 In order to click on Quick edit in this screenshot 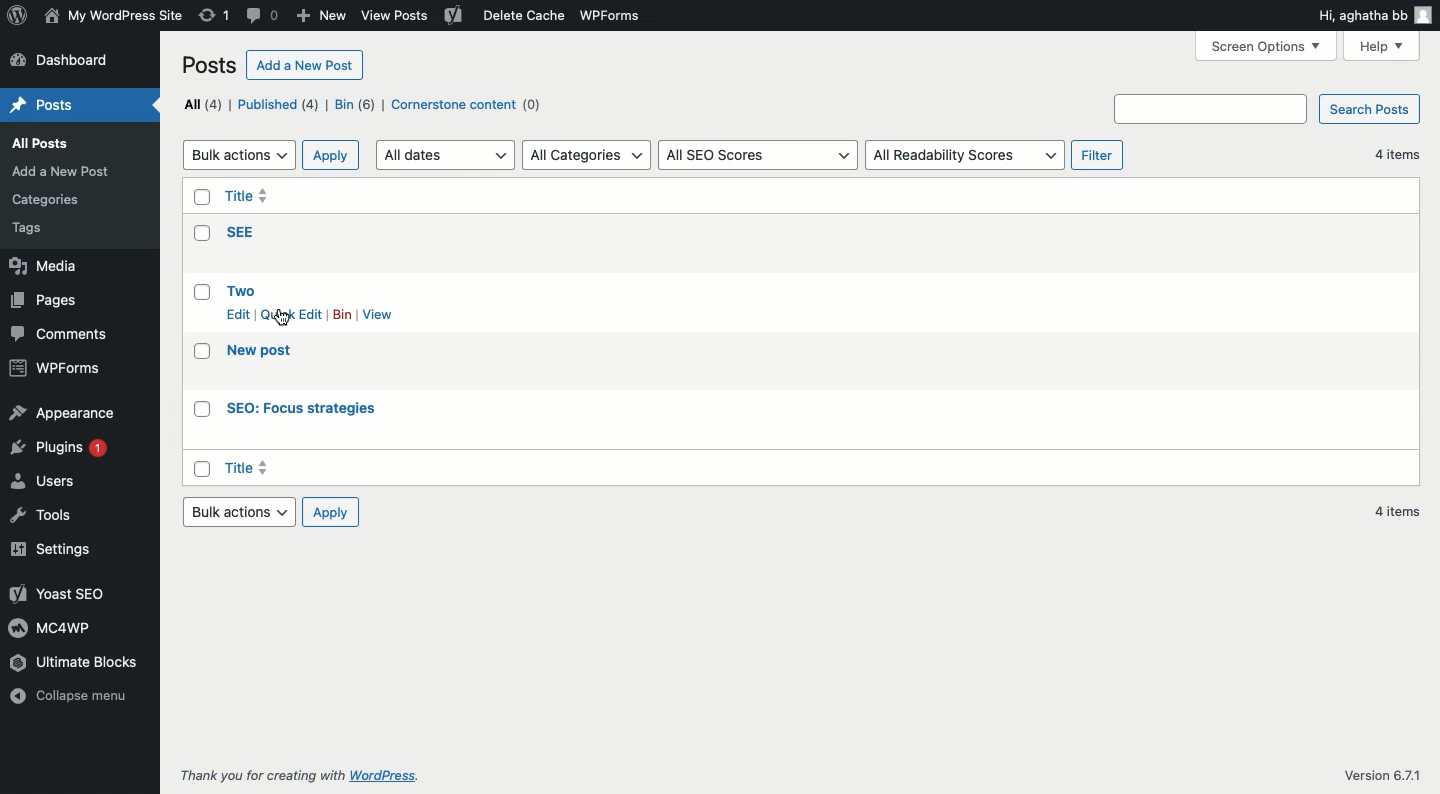, I will do `click(292, 314)`.